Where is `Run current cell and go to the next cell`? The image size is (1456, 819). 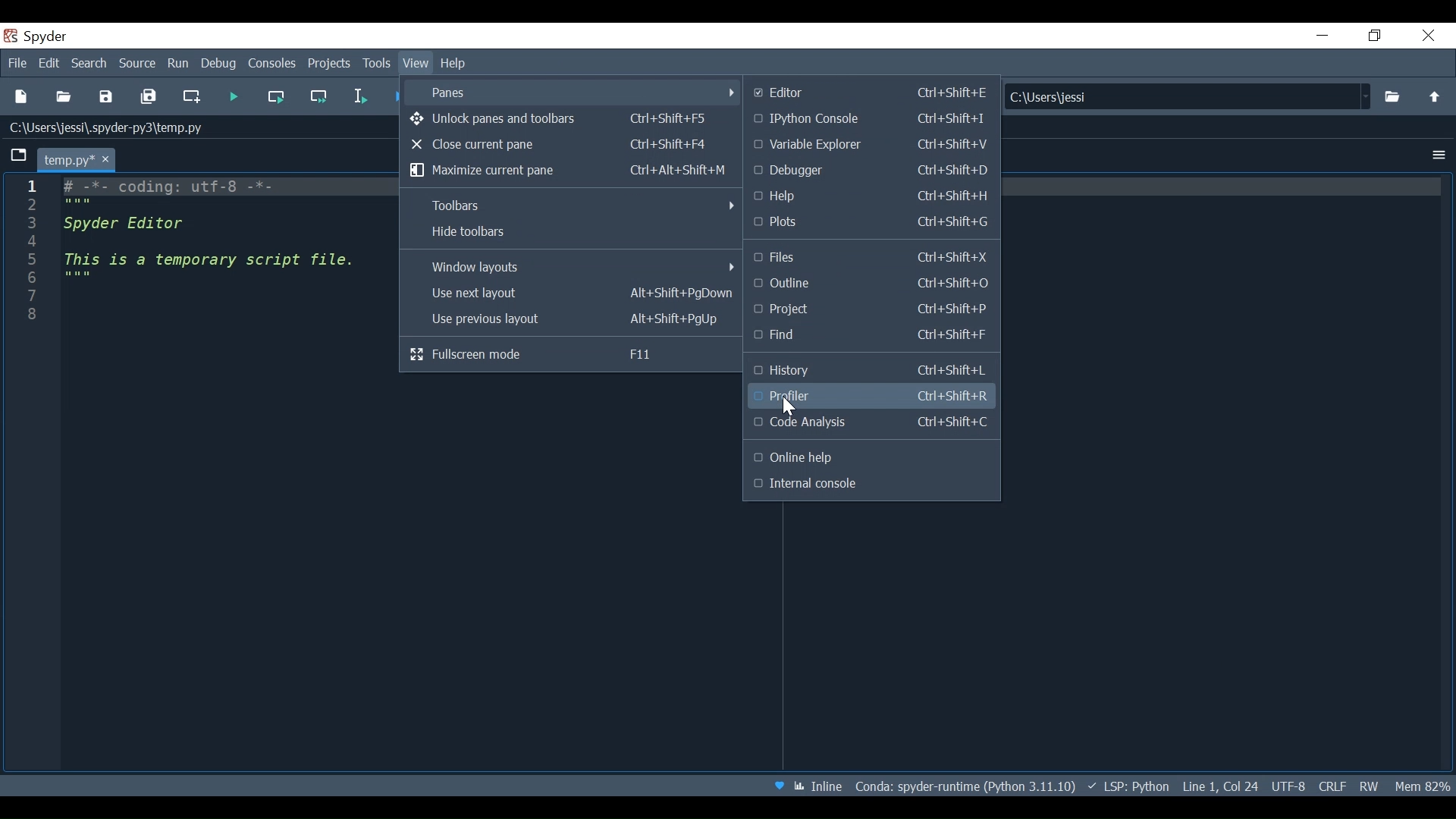
Run current cell and go to the next cell is located at coordinates (320, 96).